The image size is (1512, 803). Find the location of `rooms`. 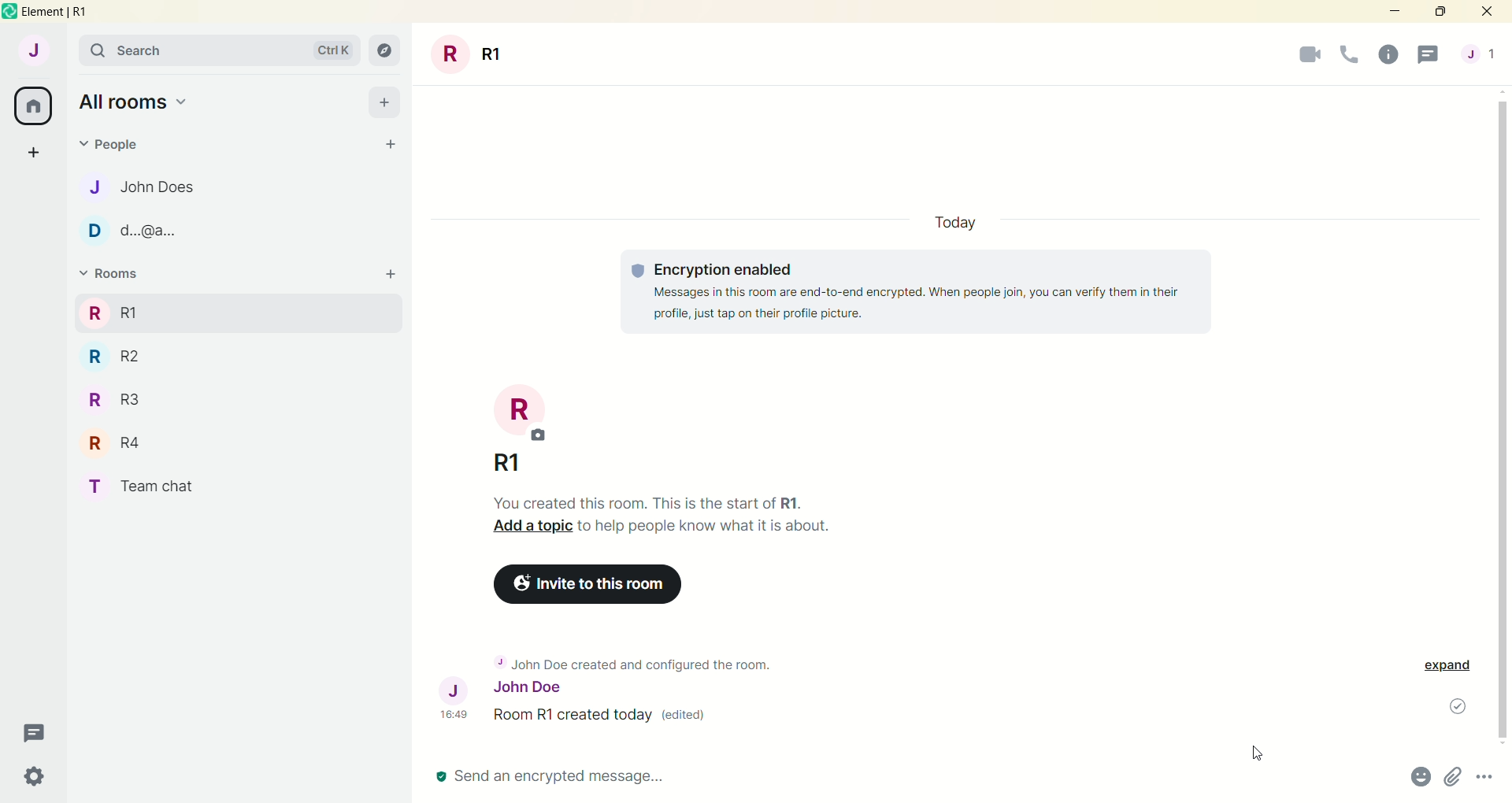

rooms is located at coordinates (112, 312).